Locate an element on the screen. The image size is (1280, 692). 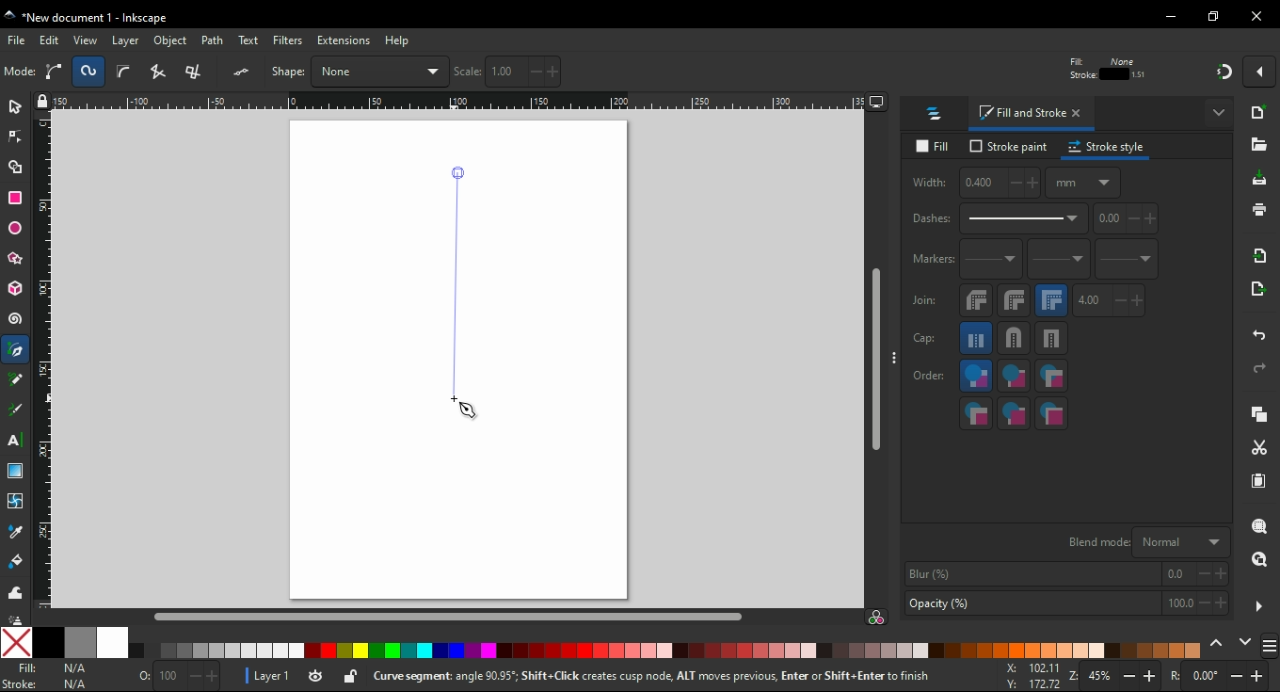
vertical coordinates is located at coordinates (643, 71).